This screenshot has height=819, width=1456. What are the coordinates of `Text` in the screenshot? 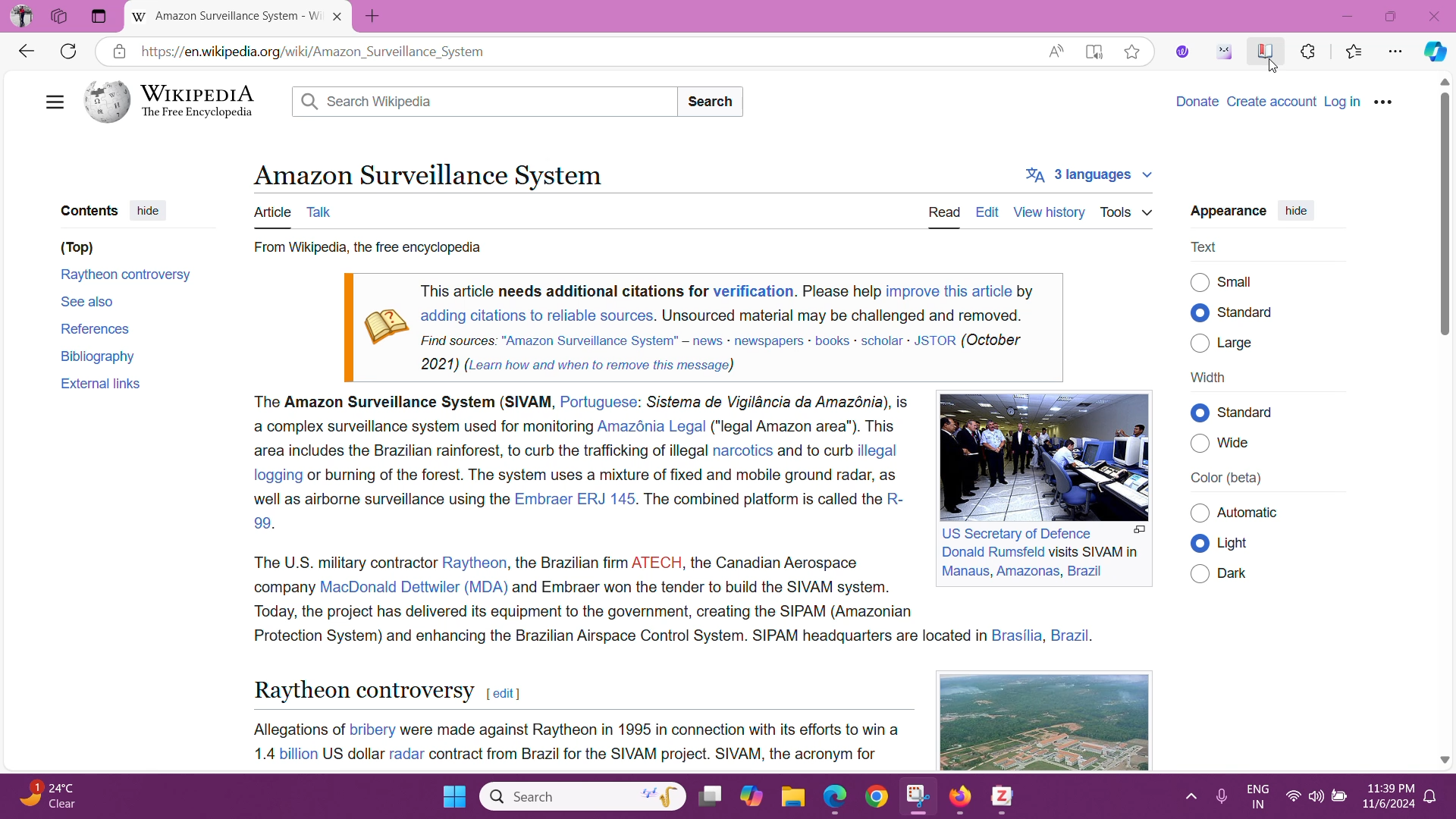 It's located at (1207, 246).